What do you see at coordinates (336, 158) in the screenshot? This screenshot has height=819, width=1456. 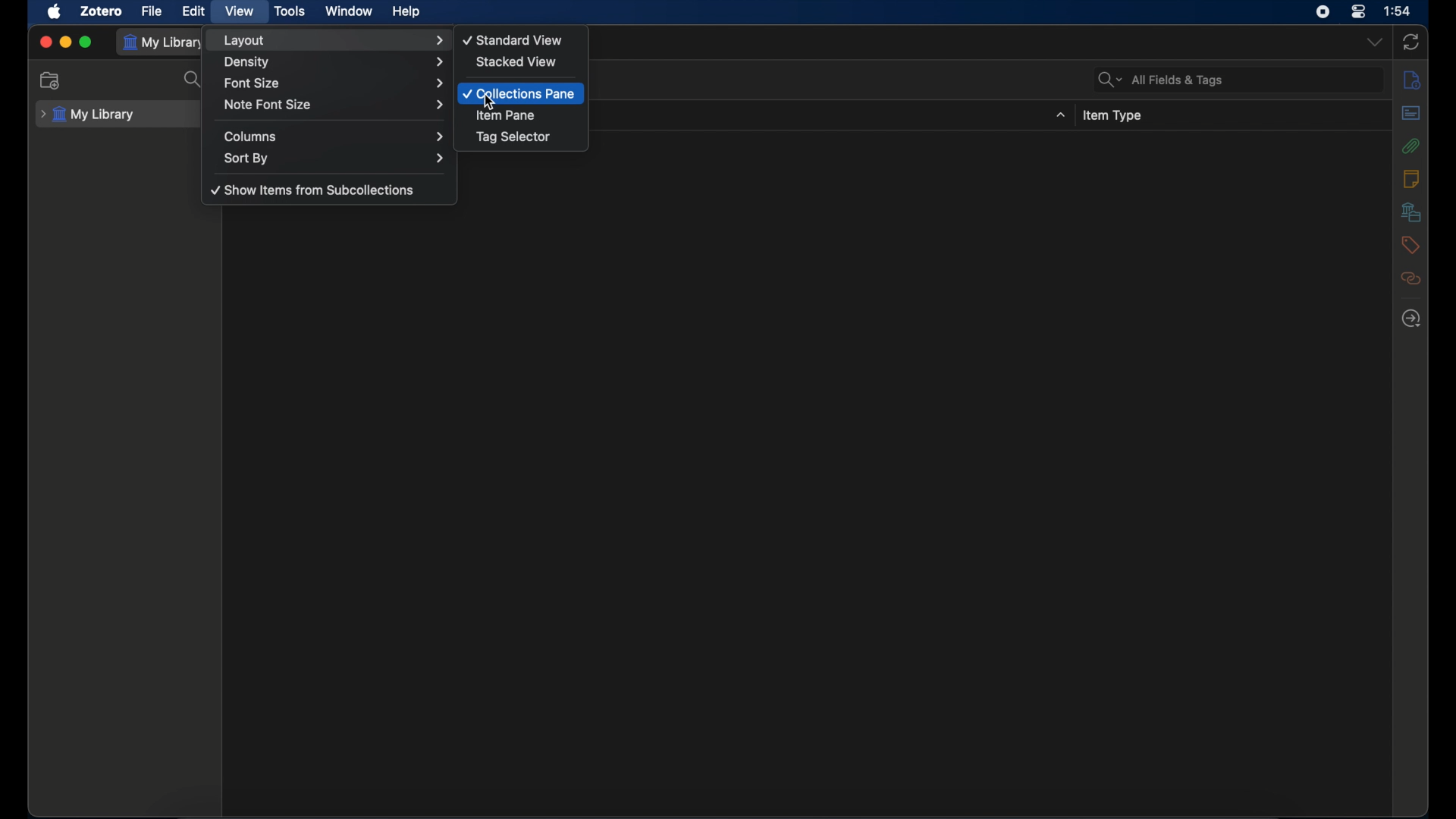 I see `sort by` at bounding box center [336, 158].